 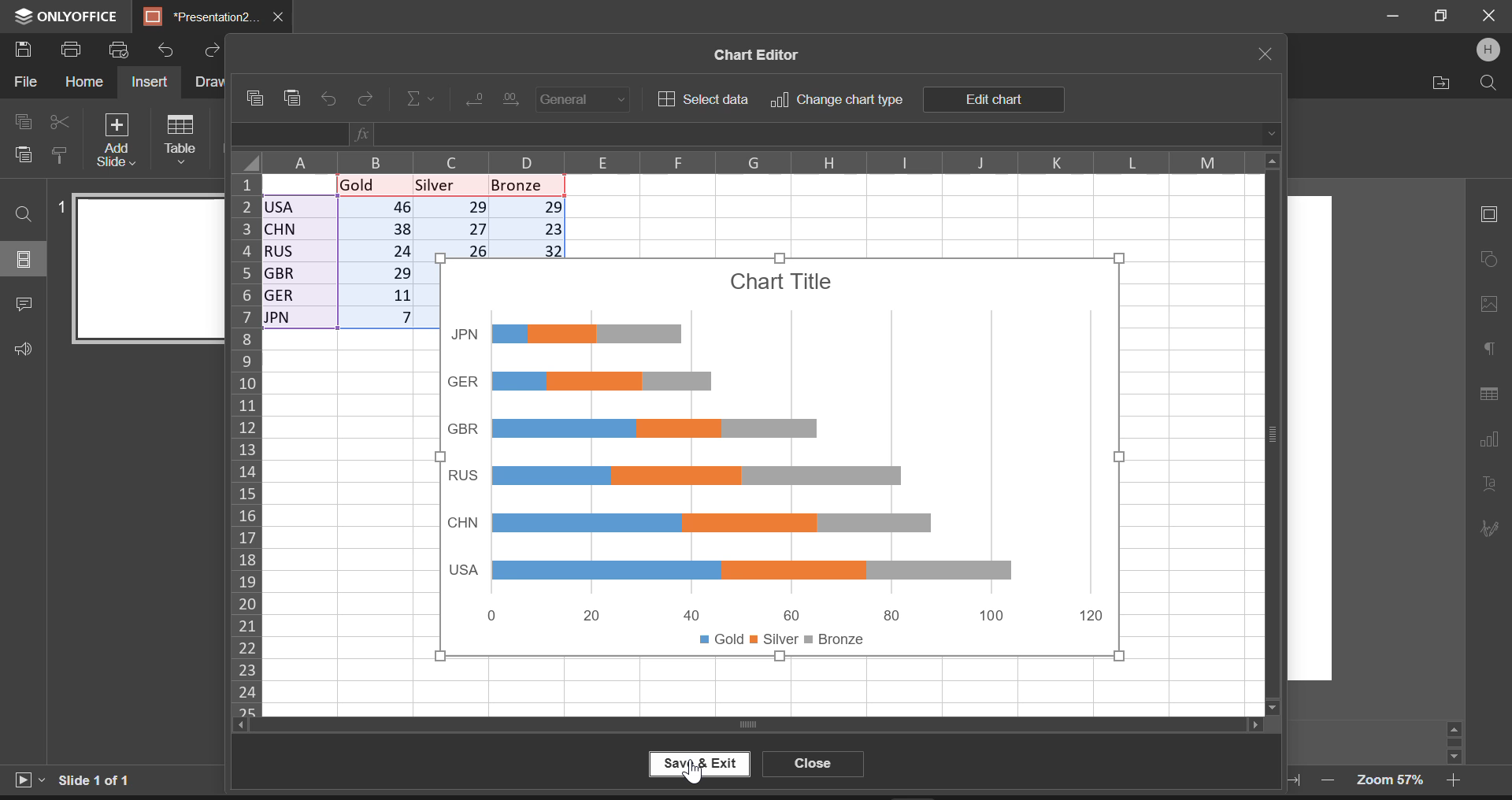 What do you see at coordinates (255, 97) in the screenshot?
I see `Copy` at bounding box center [255, 97].